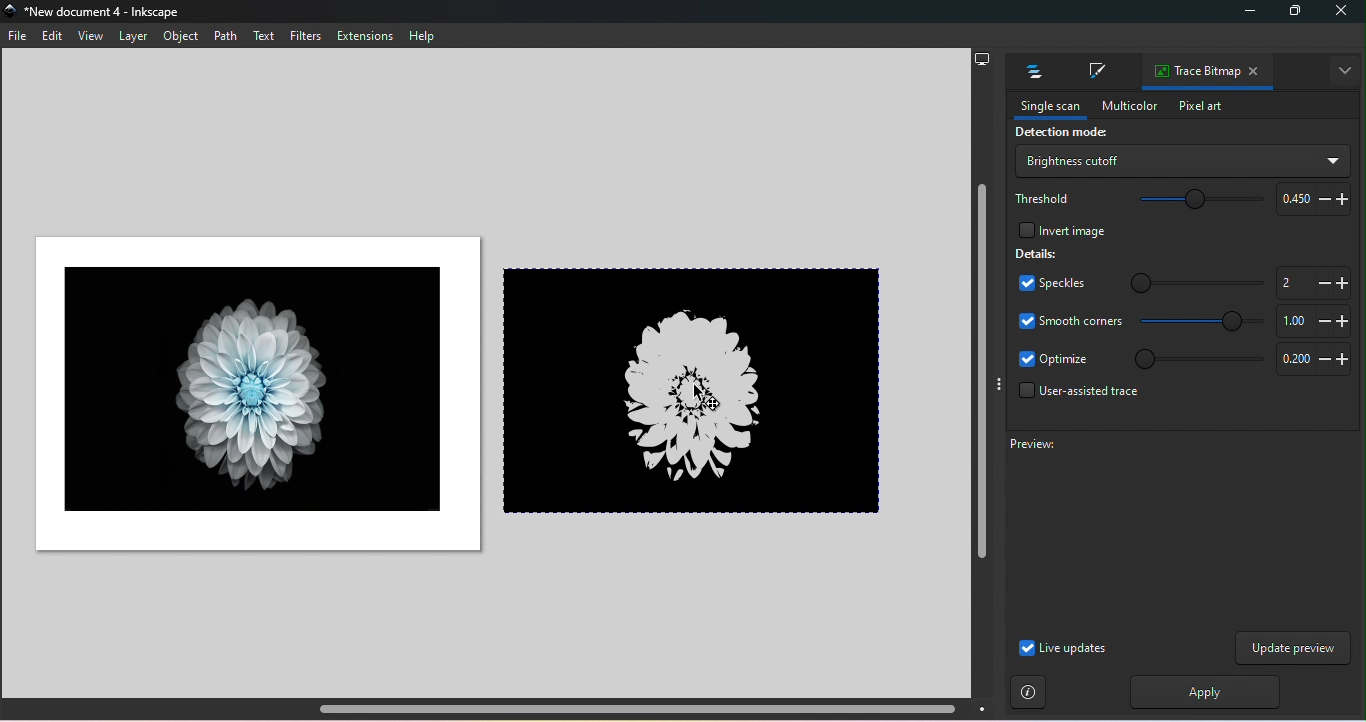  I want to click on File name, so click(100, 13).